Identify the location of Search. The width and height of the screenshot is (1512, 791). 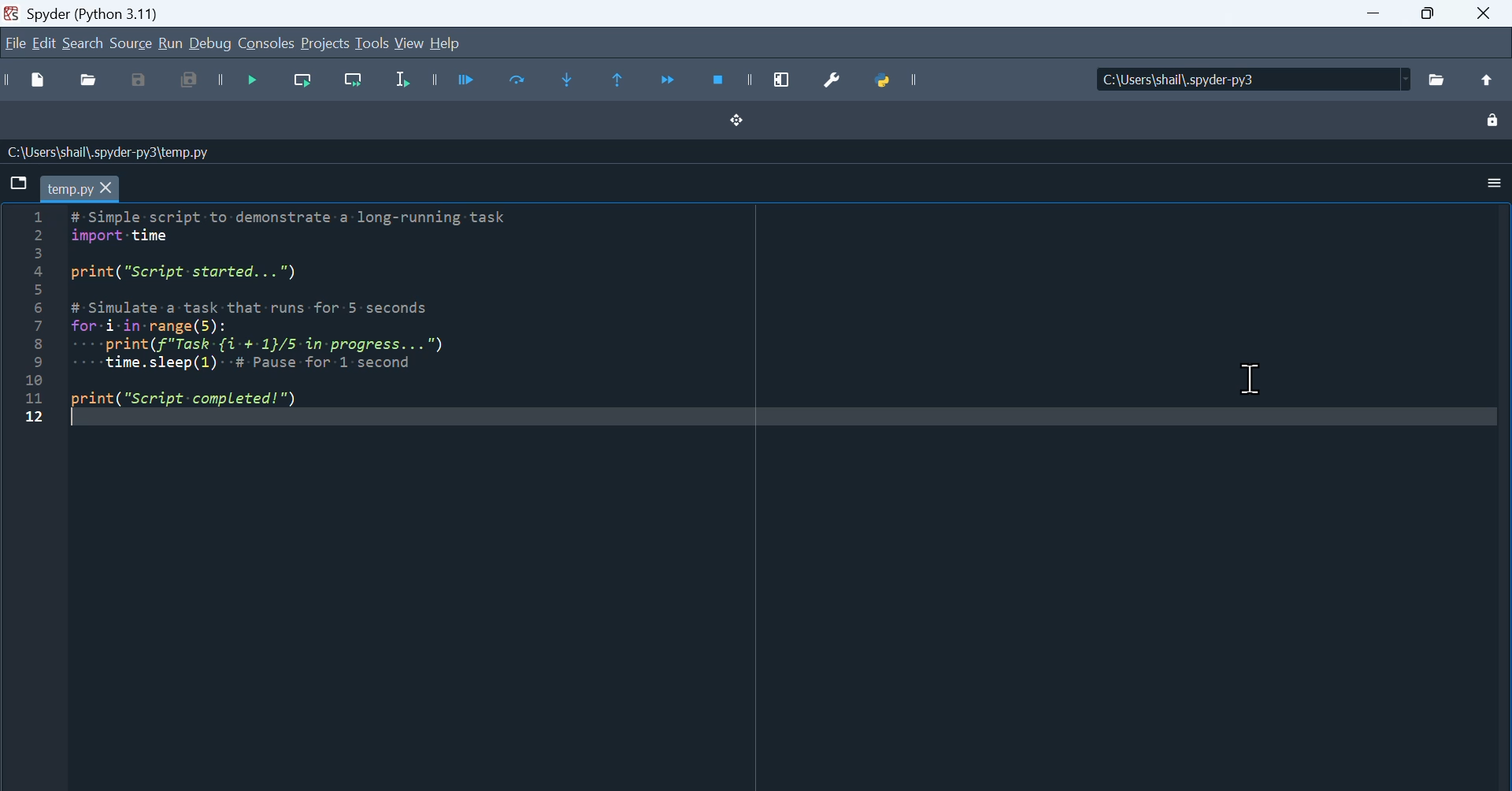
(83, 42).